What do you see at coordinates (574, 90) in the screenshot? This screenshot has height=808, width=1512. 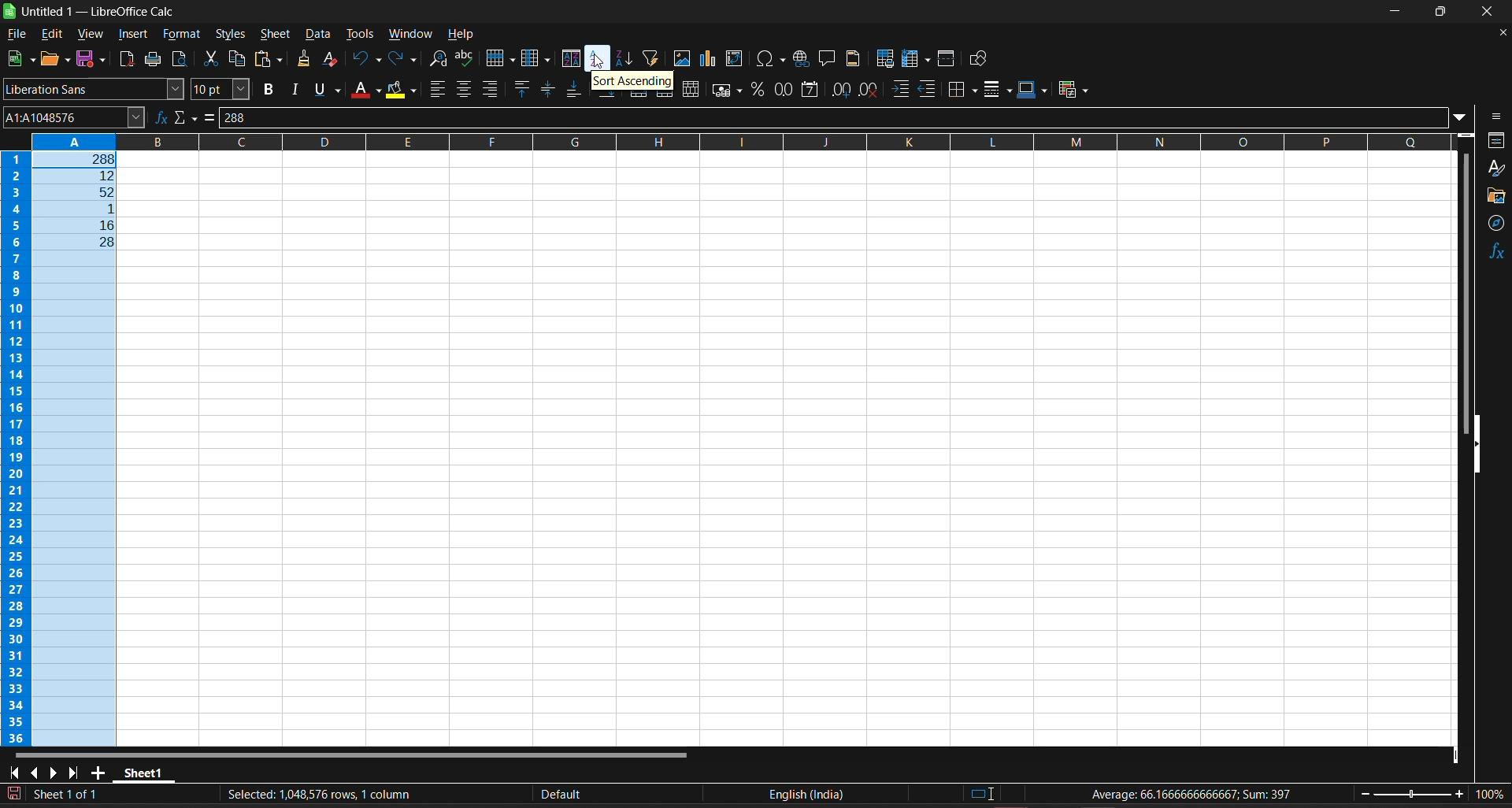 I see `align bottom` at bounding box center [574, 90].